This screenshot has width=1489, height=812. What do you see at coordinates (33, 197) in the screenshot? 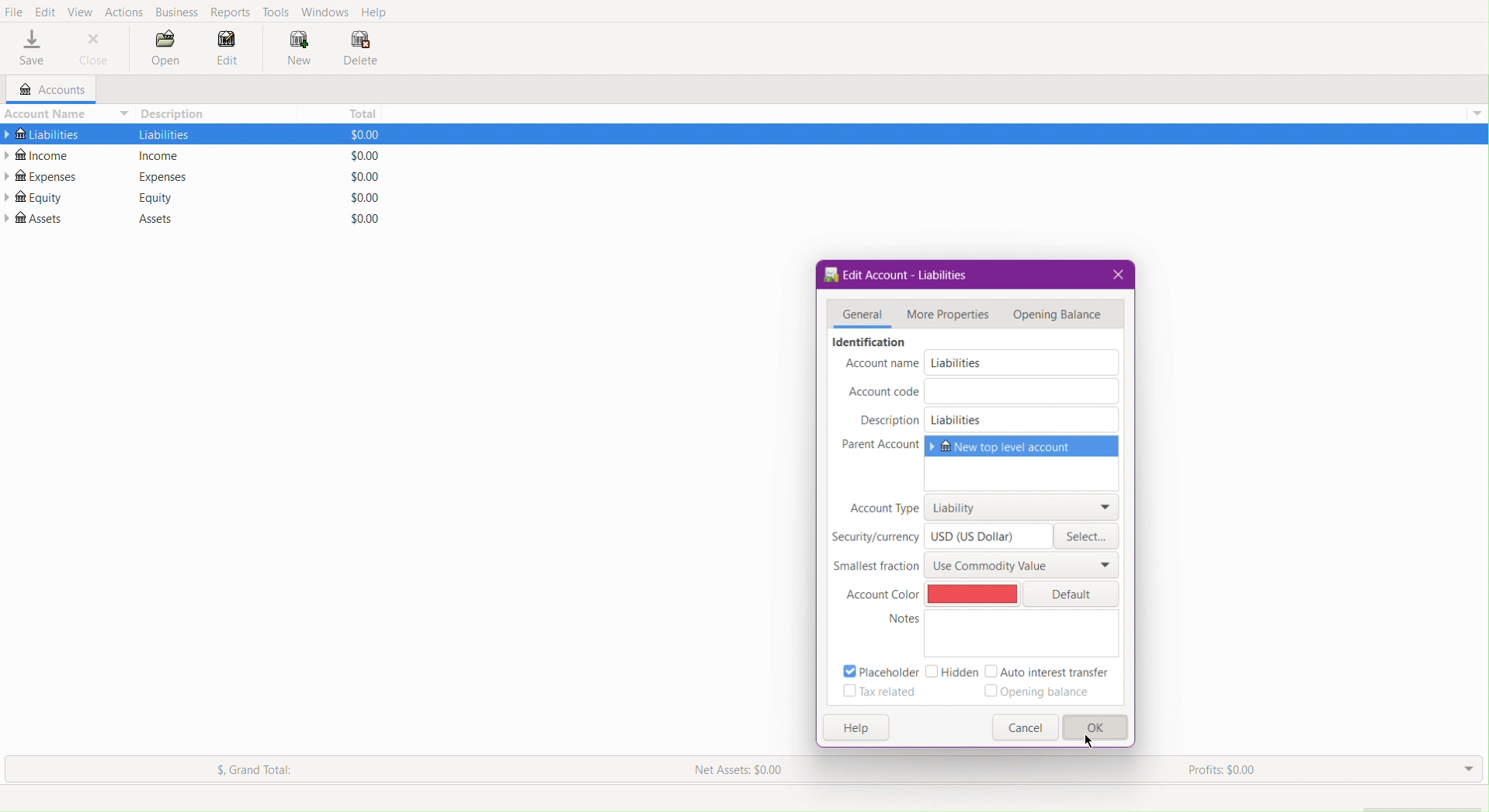
I see `Equity` at bounding box center [33, 197].